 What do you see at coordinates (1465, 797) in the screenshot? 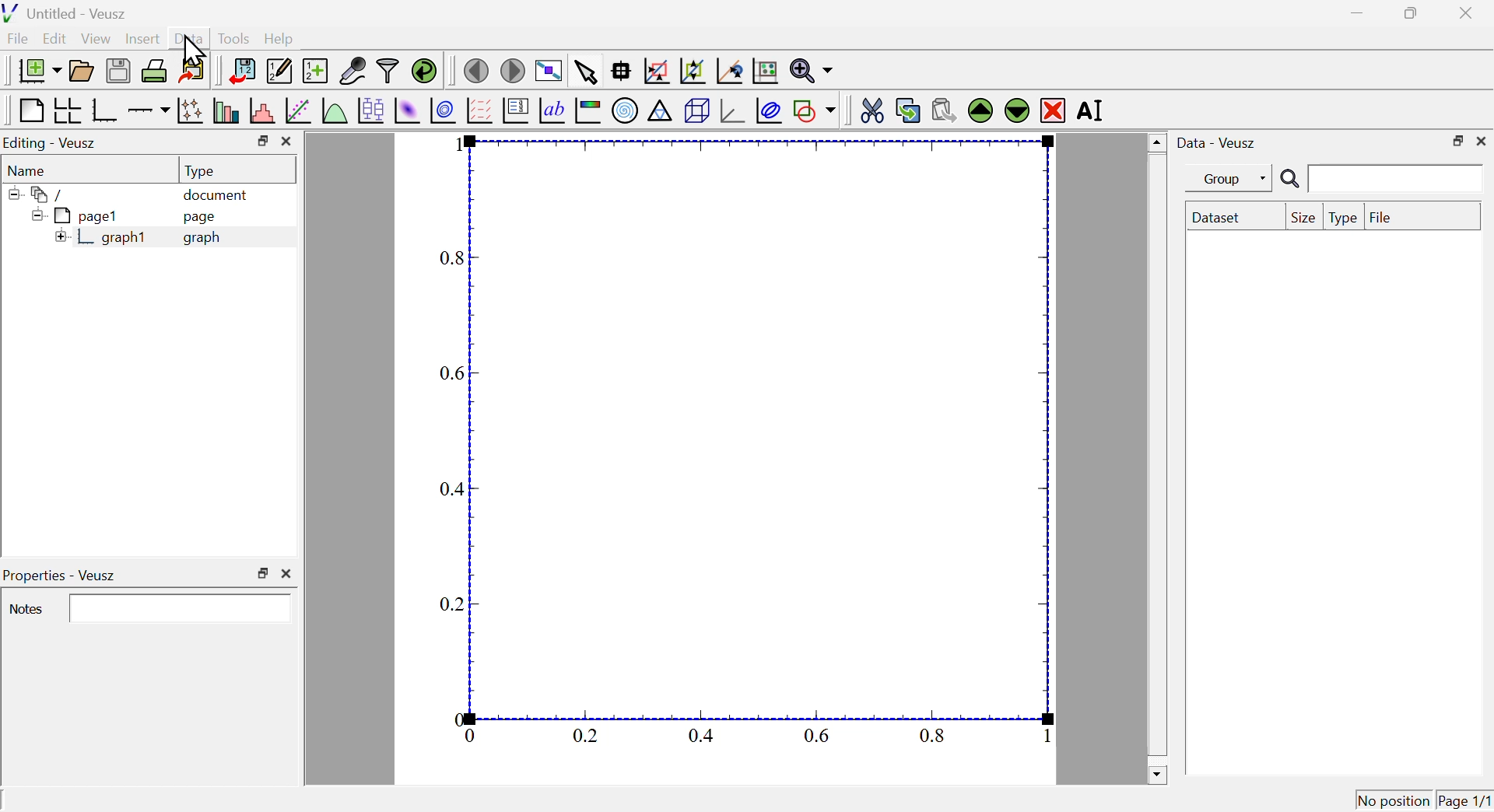
I see `page1/1` at bounding box center [1465, 797].